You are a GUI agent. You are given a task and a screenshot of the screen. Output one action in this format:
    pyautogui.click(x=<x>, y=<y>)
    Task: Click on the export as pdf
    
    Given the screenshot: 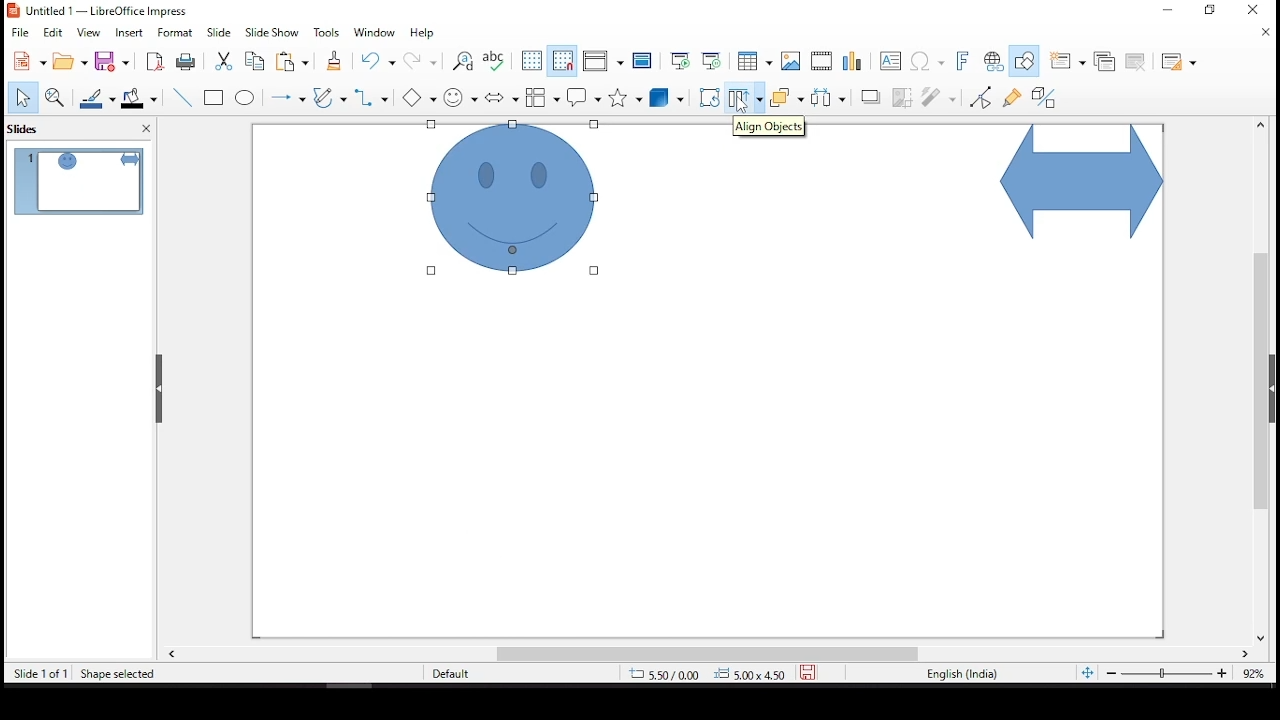 What is the action you would take?
    pyautogui.click(x=153, y=61)
    